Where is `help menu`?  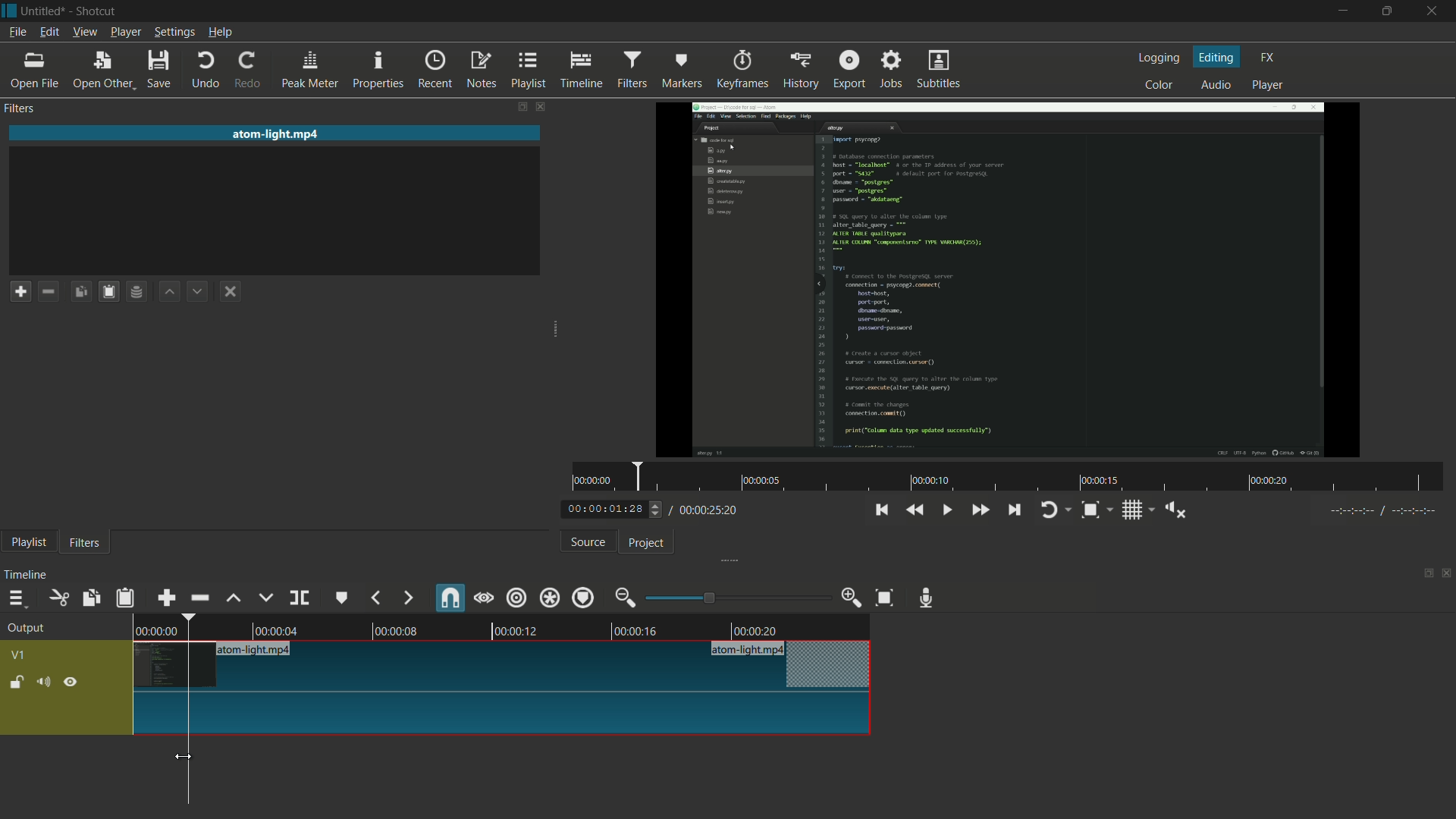
help menu is located at coordinates (220, 33).